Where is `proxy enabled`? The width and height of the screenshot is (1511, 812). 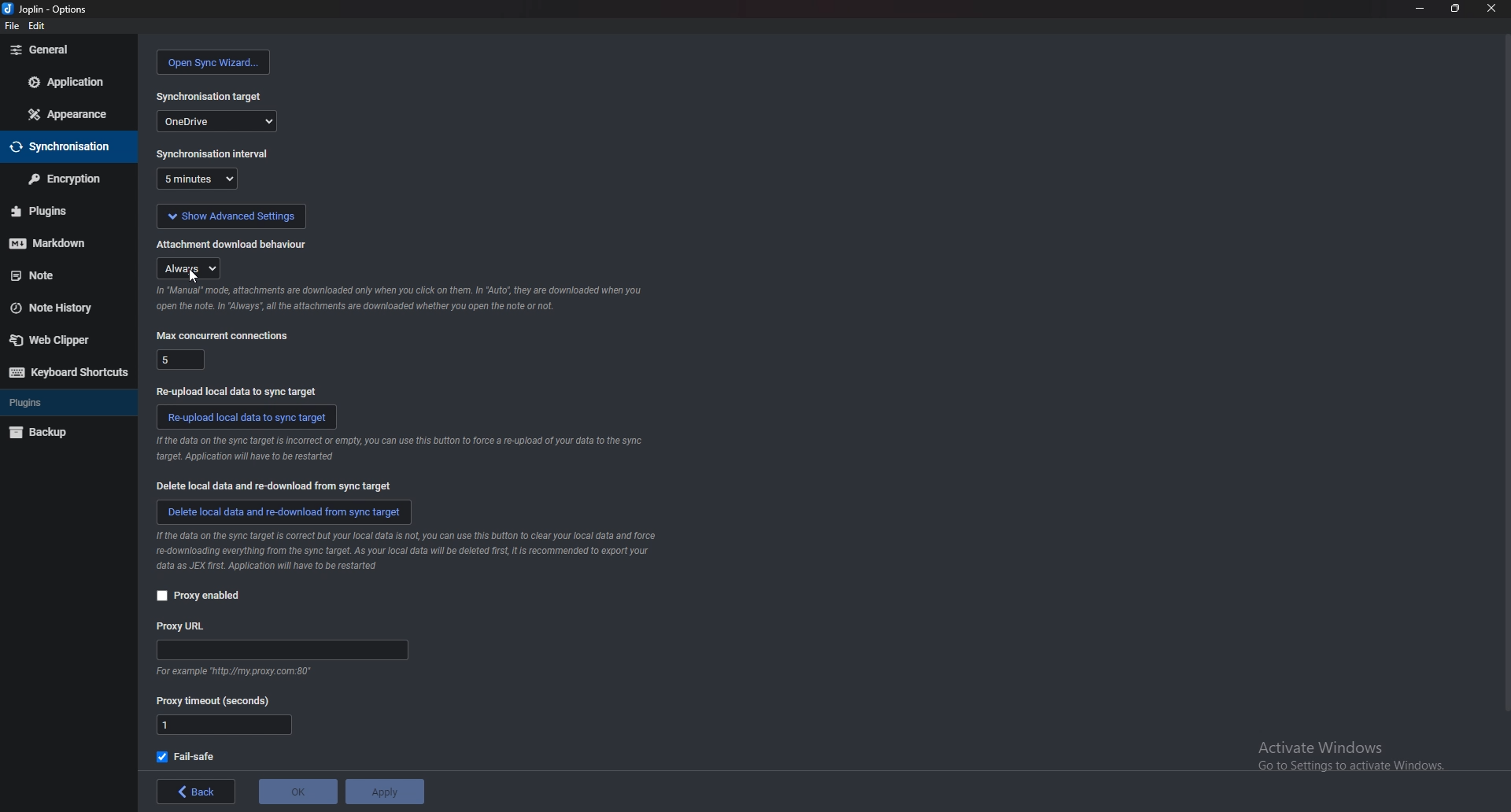
proxy enabled is located at coordinates (205, 596).